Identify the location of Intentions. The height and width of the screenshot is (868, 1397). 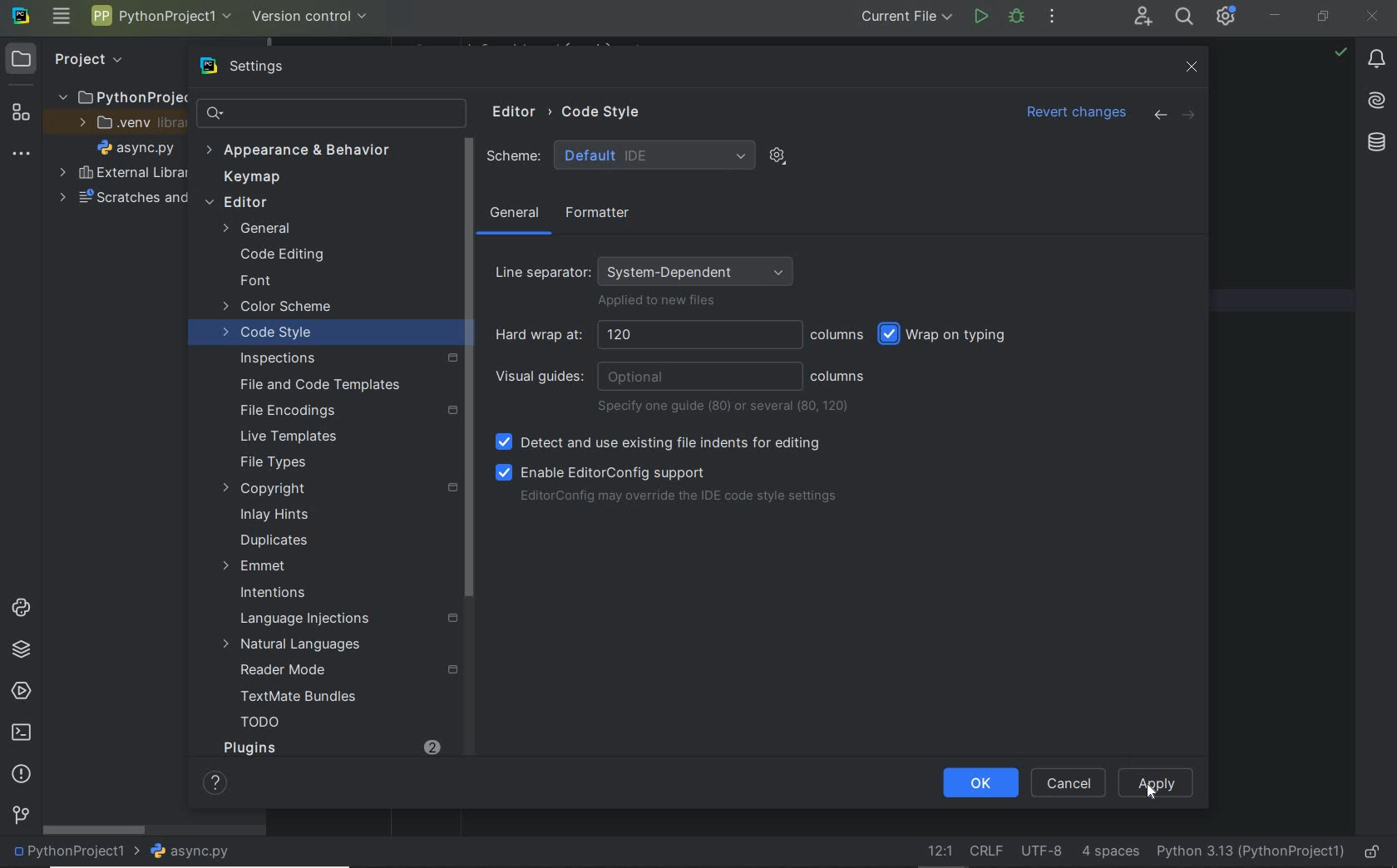
(274, 594).